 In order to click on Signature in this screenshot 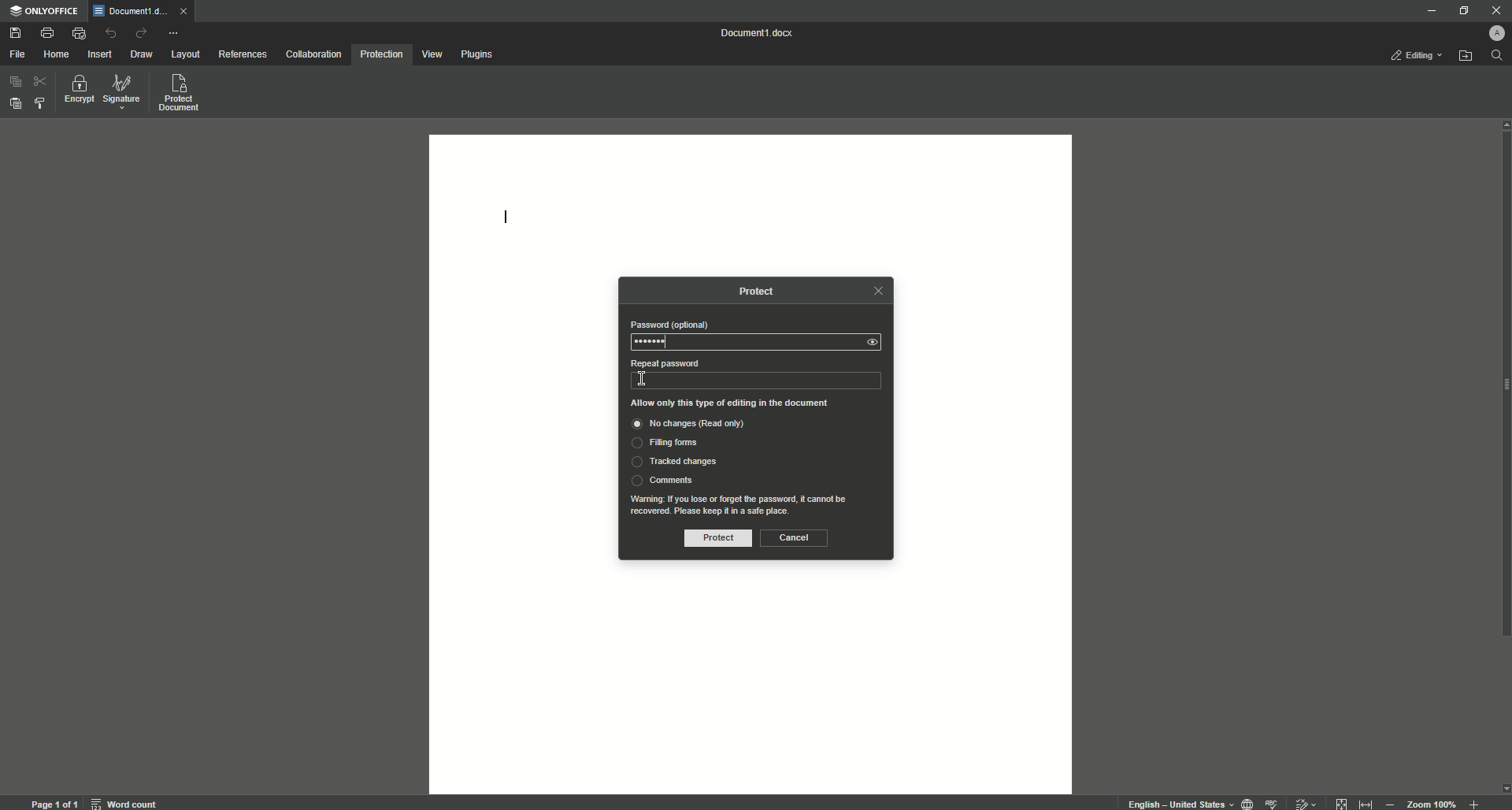, I will do `click(122, 92)`.